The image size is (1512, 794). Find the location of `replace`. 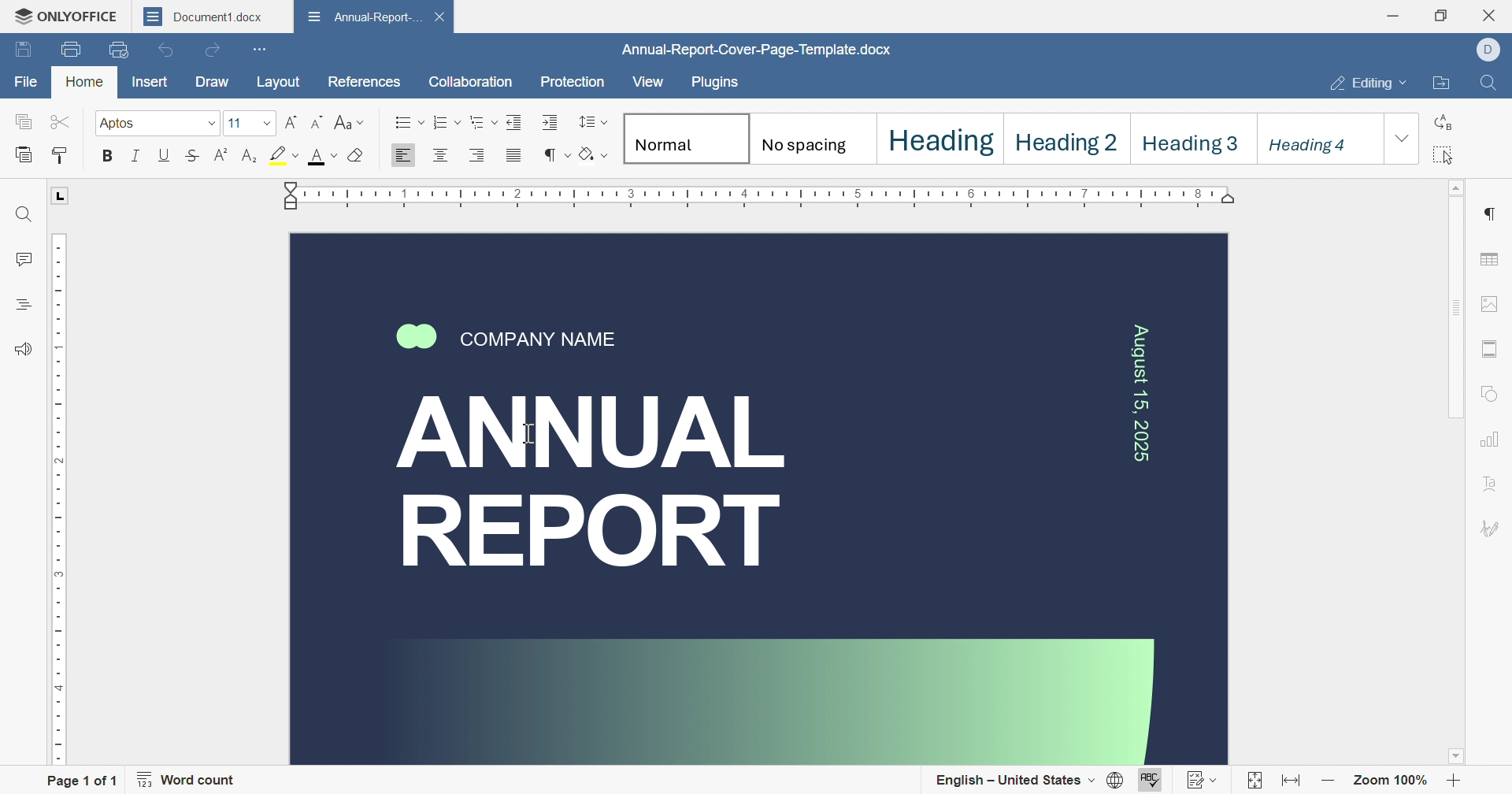

replace is located at coordinates (1445, 121).